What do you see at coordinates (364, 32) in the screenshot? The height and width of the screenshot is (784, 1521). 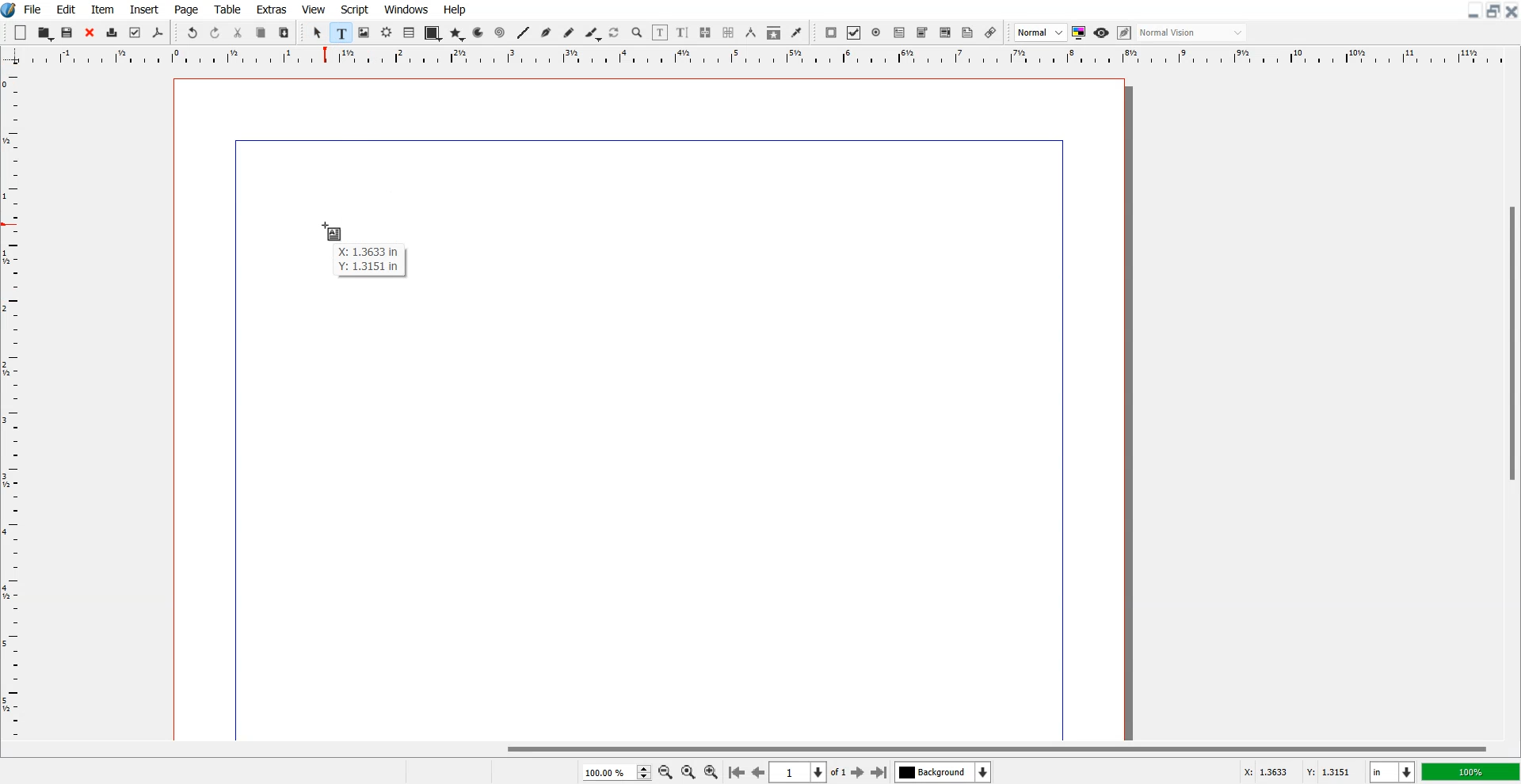 I see `Image Frame` at bounding box center [364, 32].